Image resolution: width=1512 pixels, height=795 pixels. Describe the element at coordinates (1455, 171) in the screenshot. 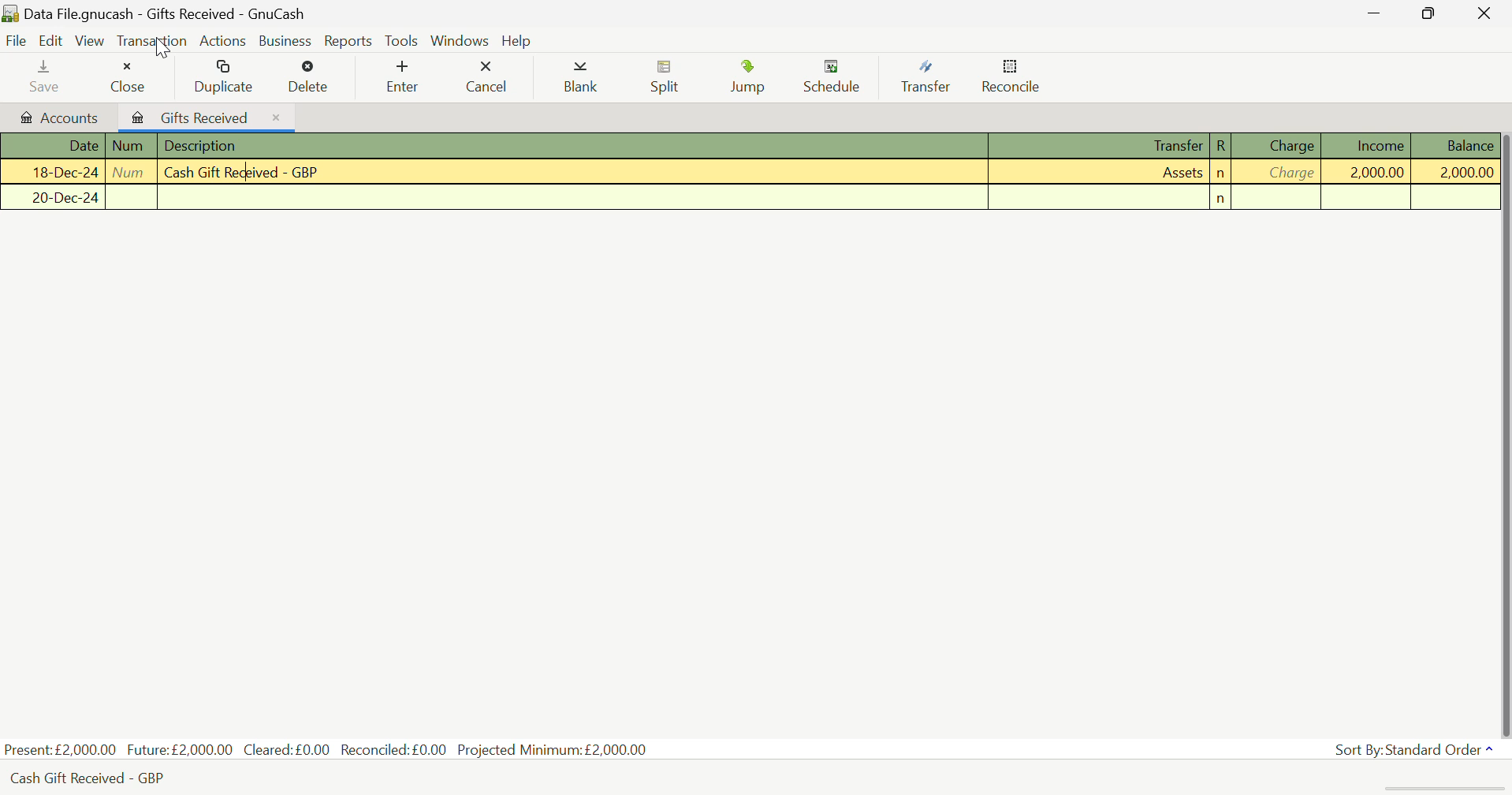

I see `Balance` at that location.